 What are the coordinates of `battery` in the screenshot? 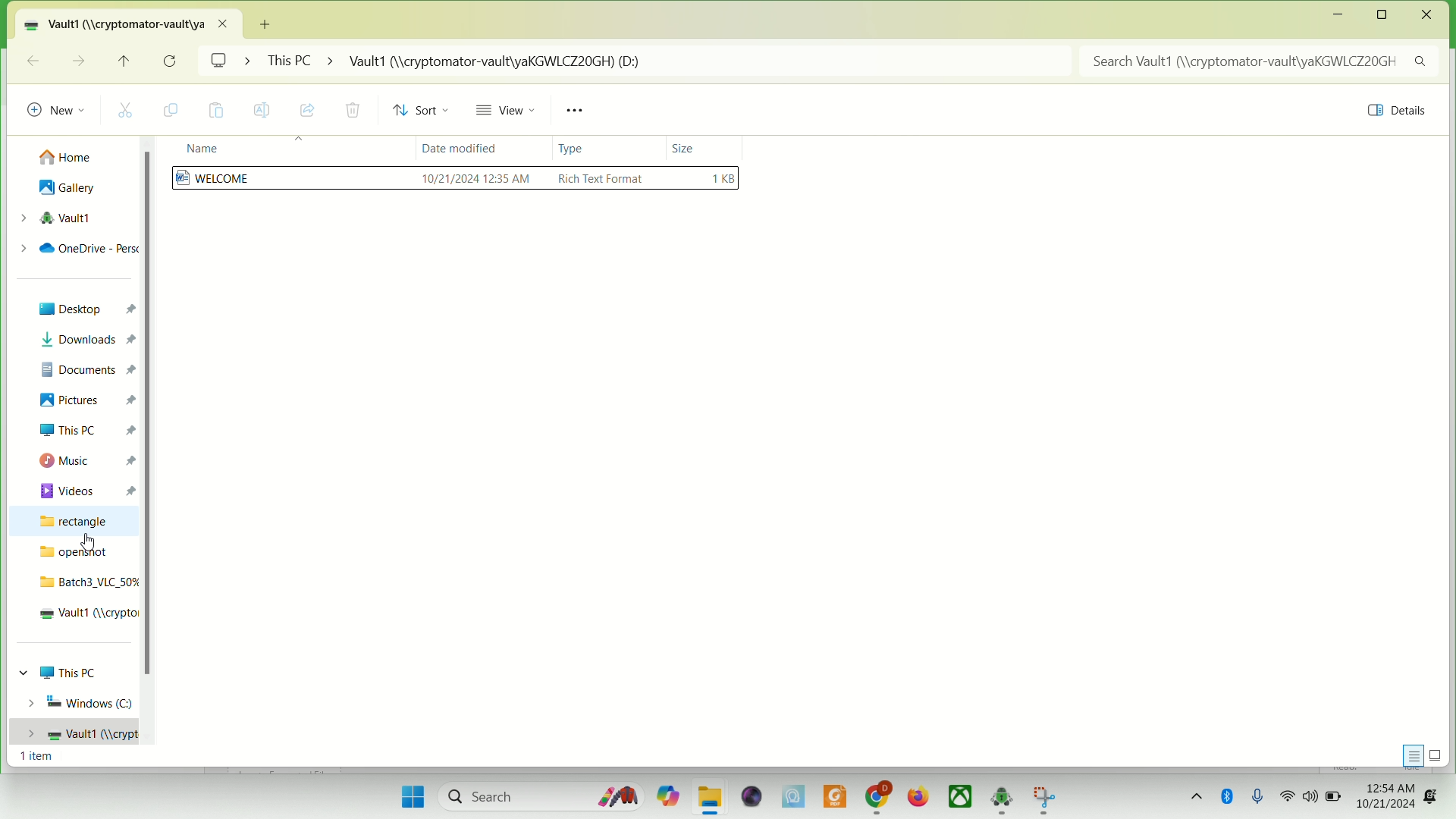 It's located at (1334, 799).